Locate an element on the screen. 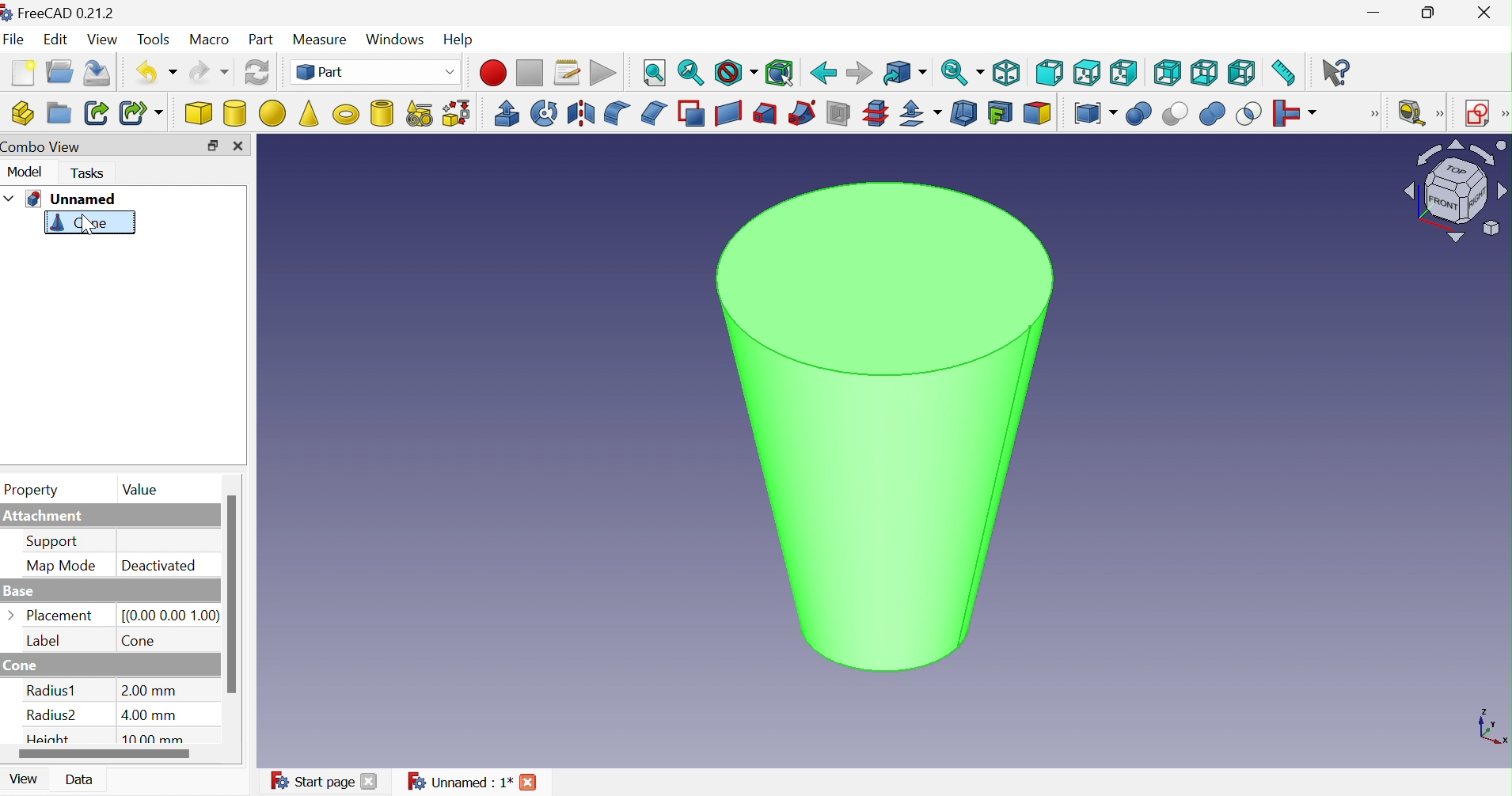 Image resolution: width=1512 pixels, height=796 pixels. Part is located at coordinates (376, 72).